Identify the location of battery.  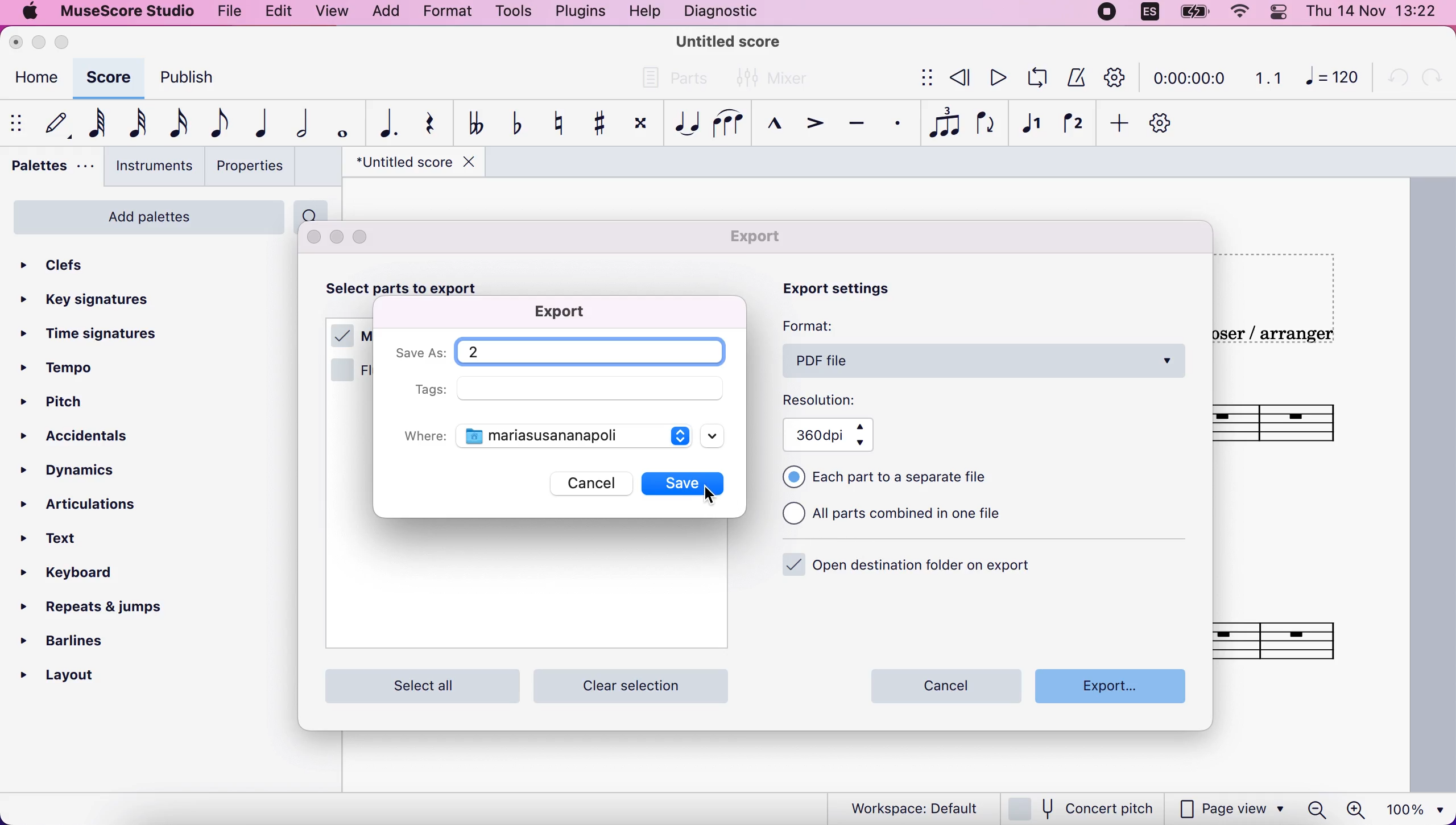
(1192, 13).